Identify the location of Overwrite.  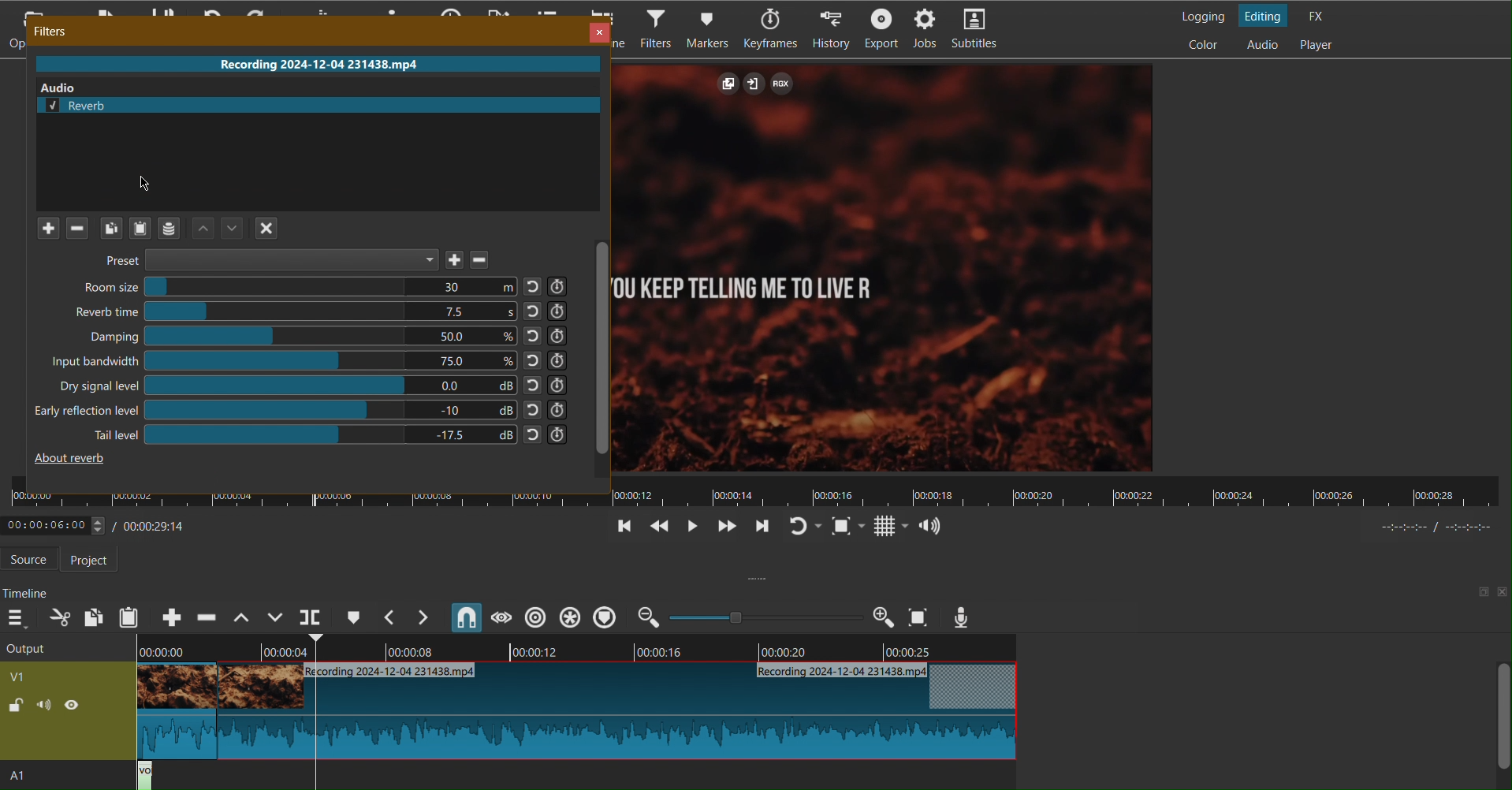
(275, 617).